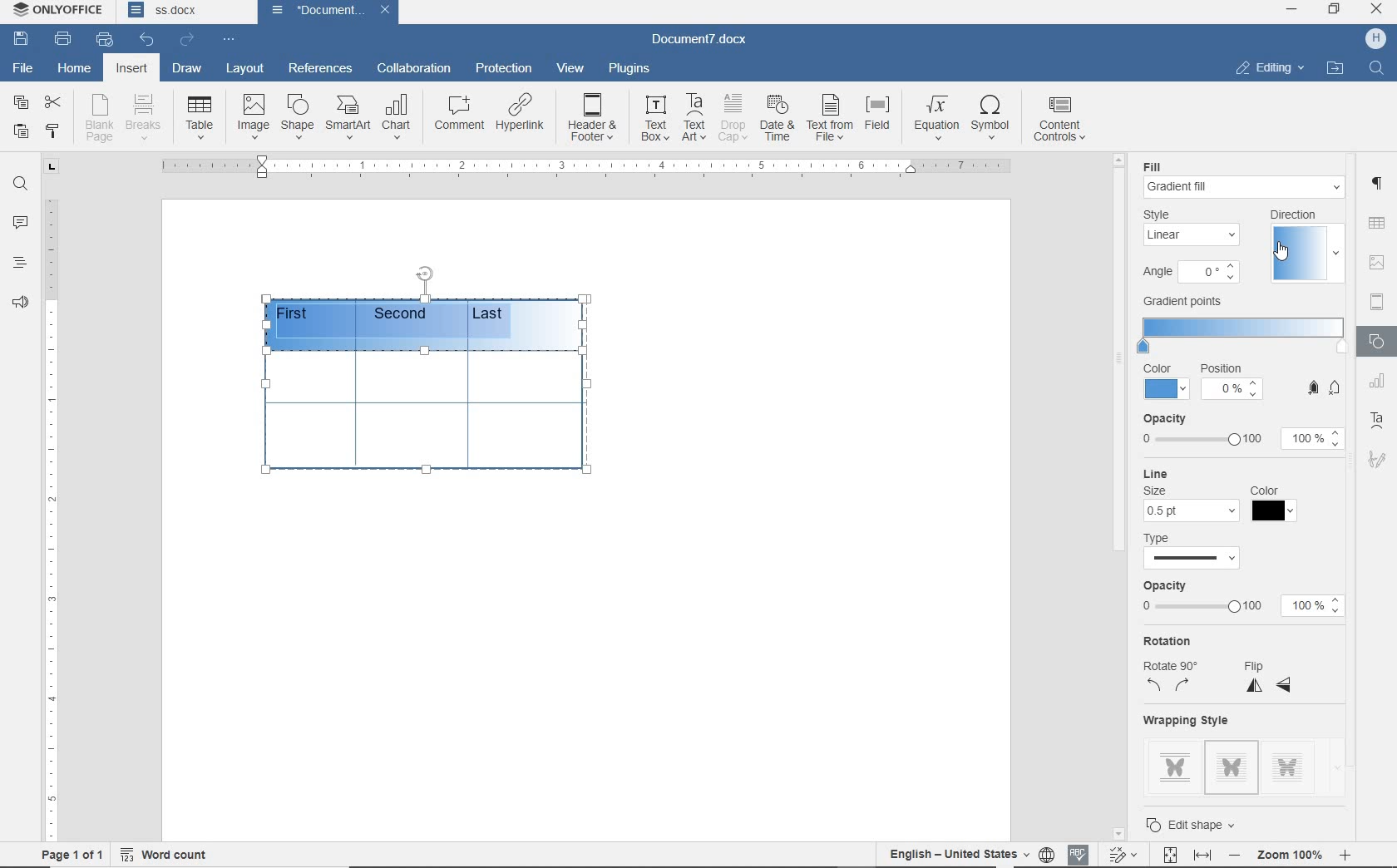 This screenshot has height=868, width=1397. Describe the element at coordinates (1294, 852) in the screenshot. I see `zoom out or zoom in` at that location.